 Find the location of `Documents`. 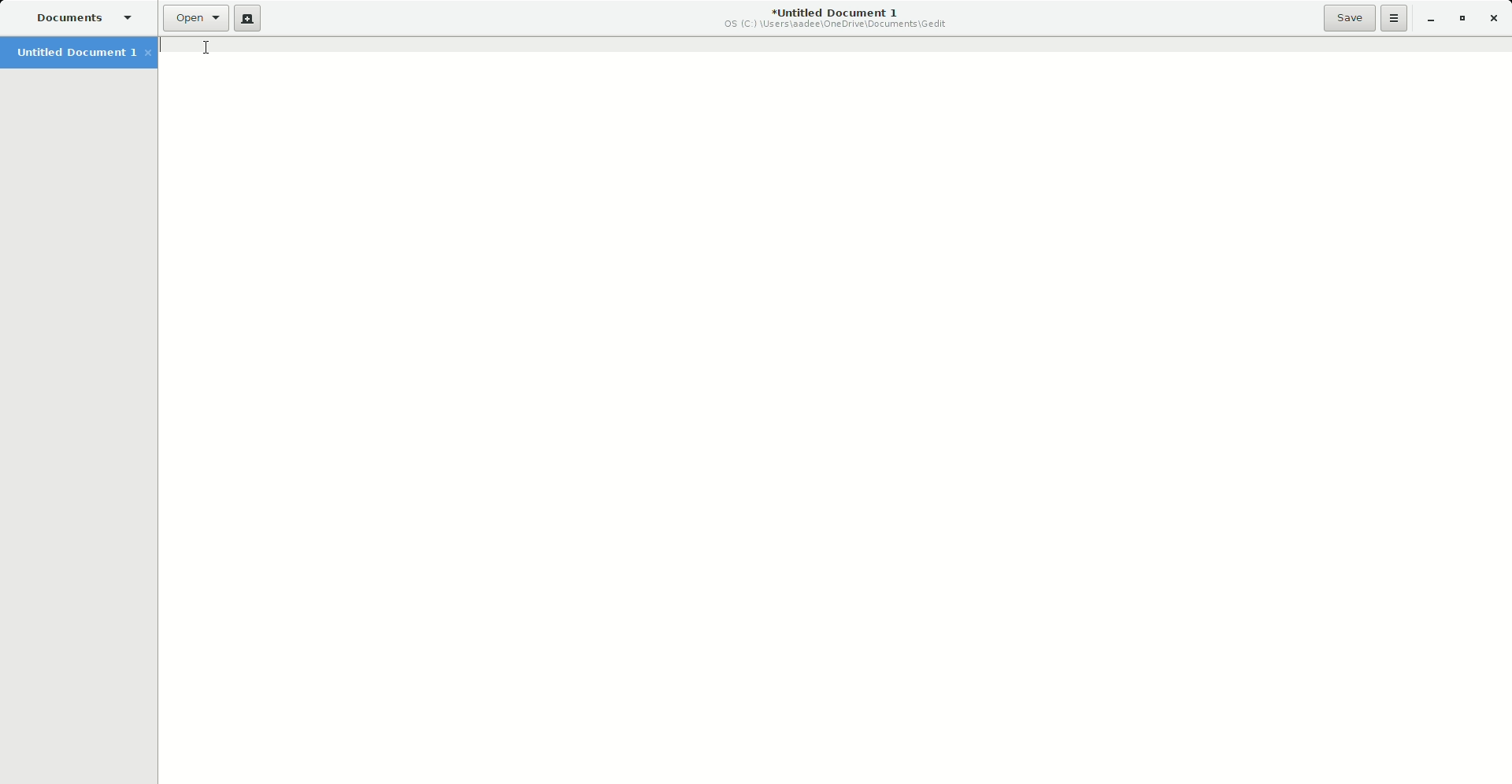

Documents is located at coordinates (83, 17).